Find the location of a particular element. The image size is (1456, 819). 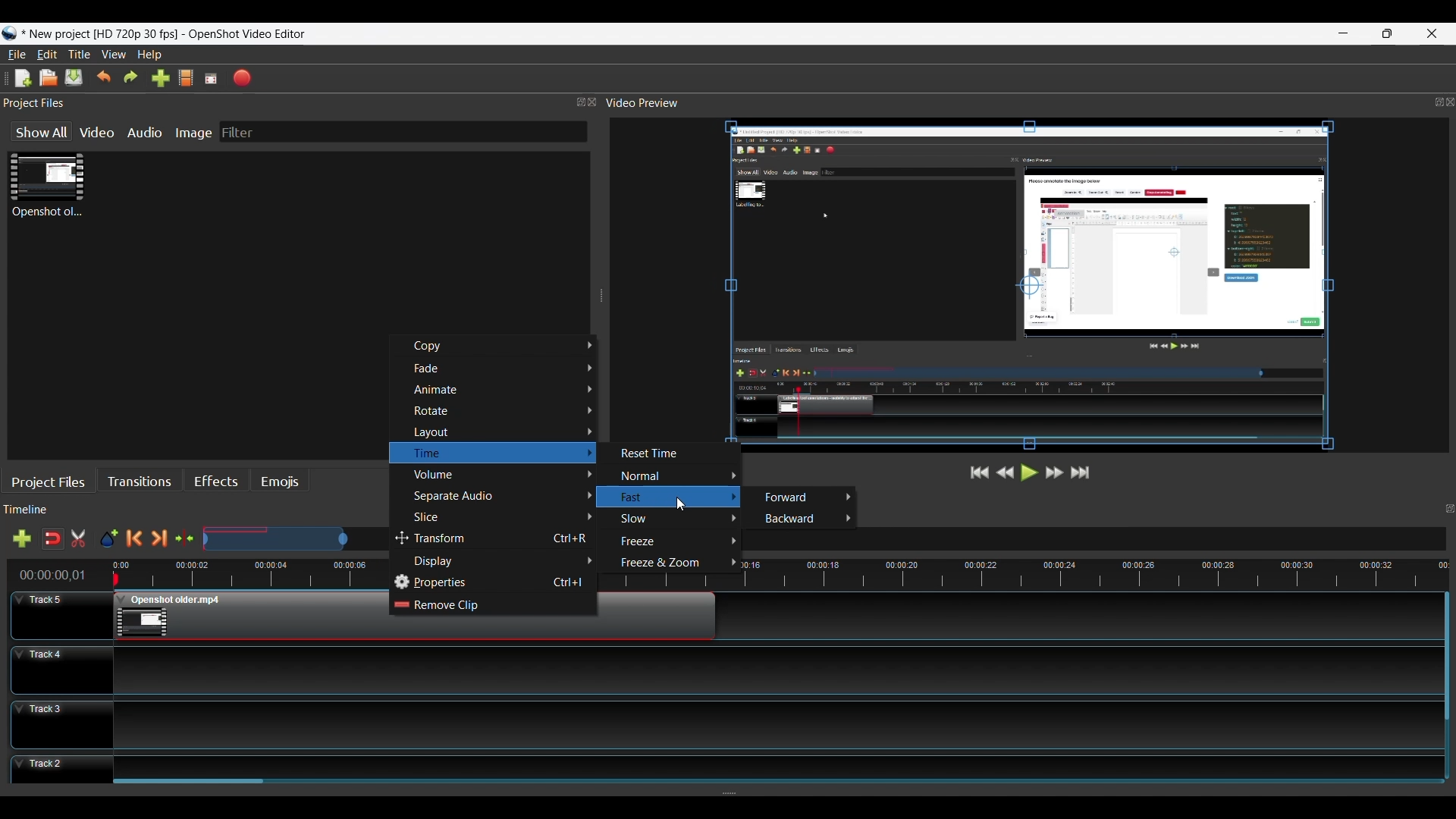

Open File is located at coordinates (49, 78).